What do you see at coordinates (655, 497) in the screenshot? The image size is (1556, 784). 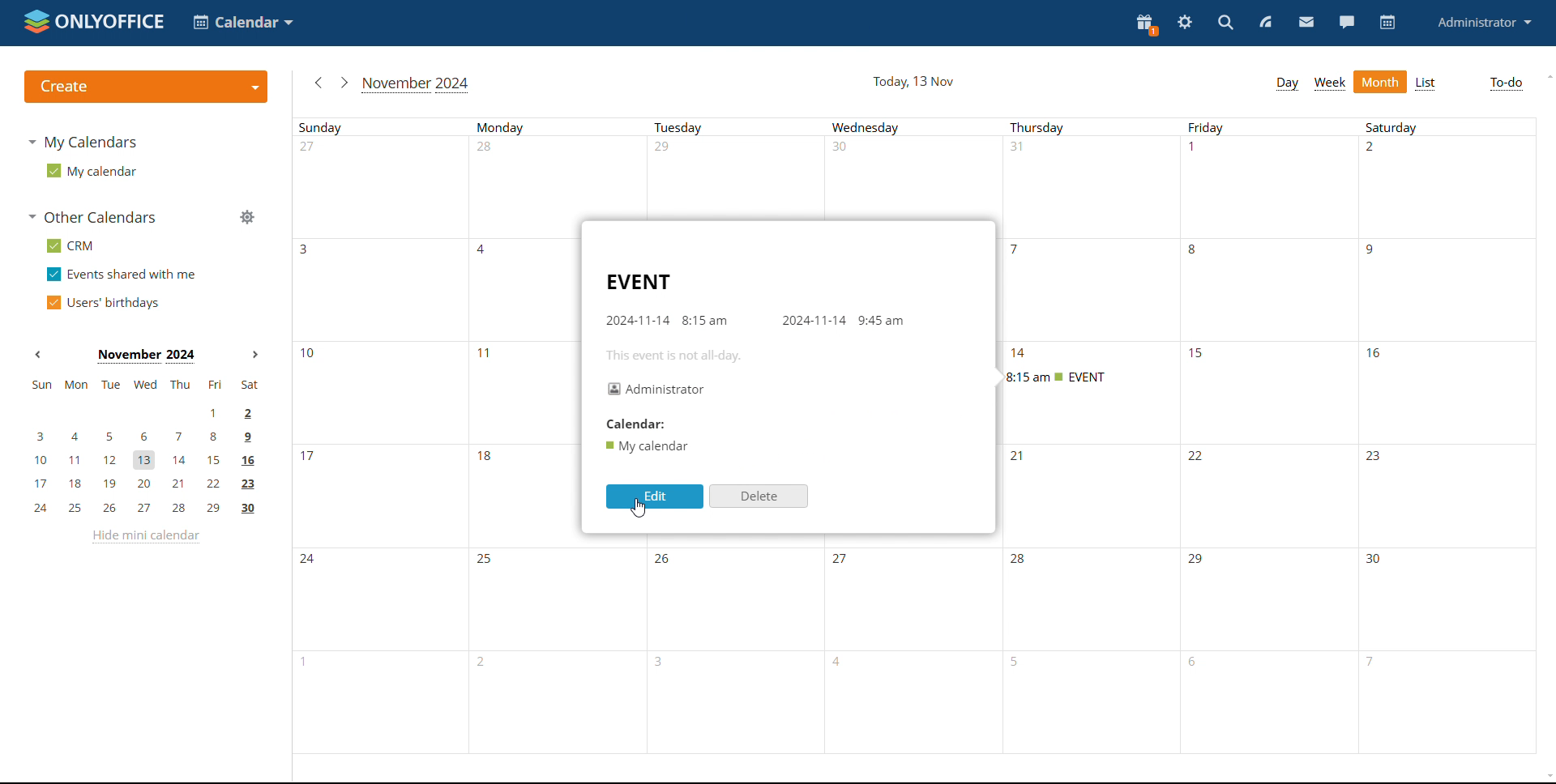 I see `edit` at bounding box center [655, 497].